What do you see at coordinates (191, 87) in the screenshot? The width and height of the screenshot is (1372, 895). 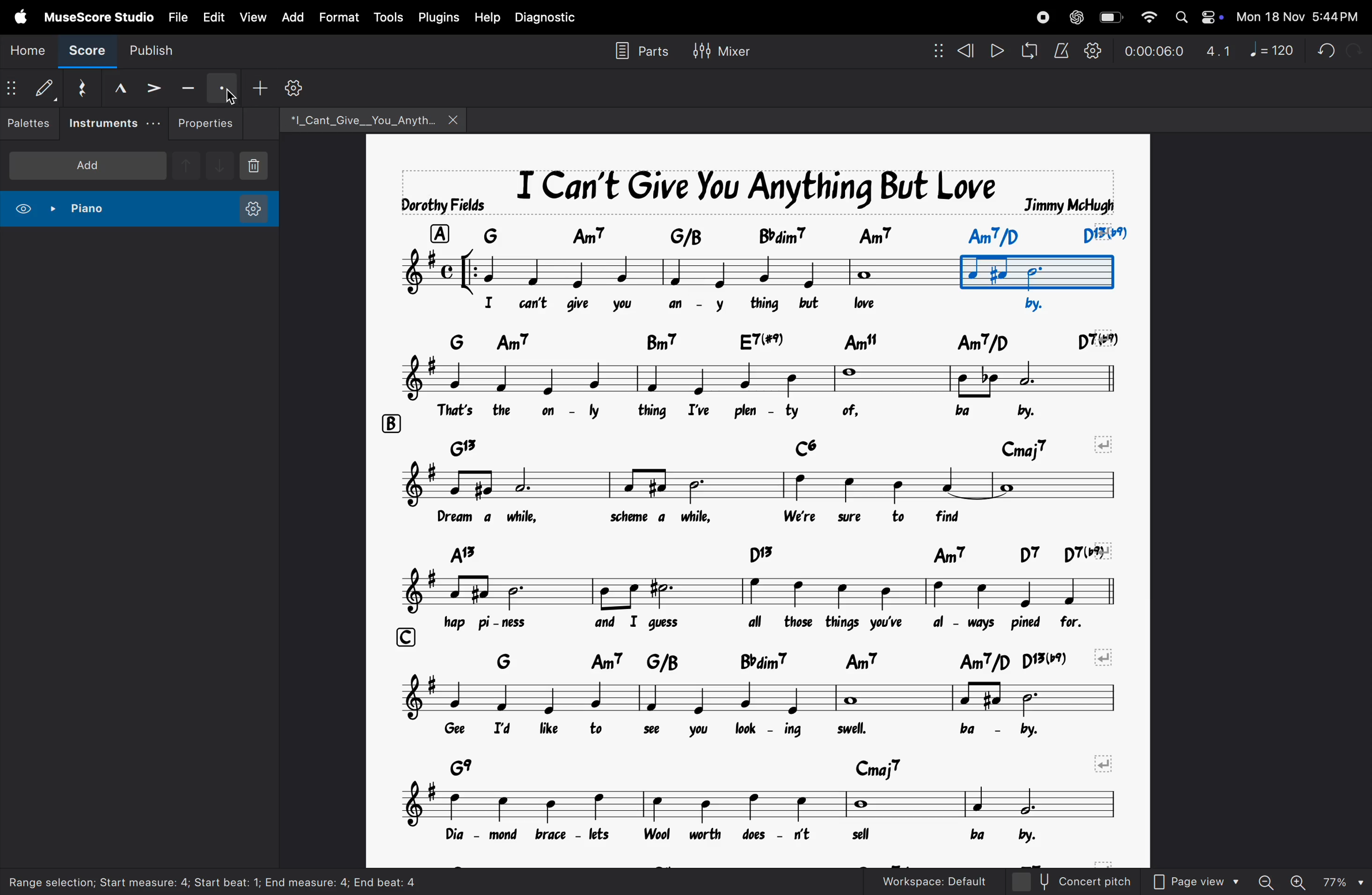 I see `tenuto` at bounding box center [191, 87].